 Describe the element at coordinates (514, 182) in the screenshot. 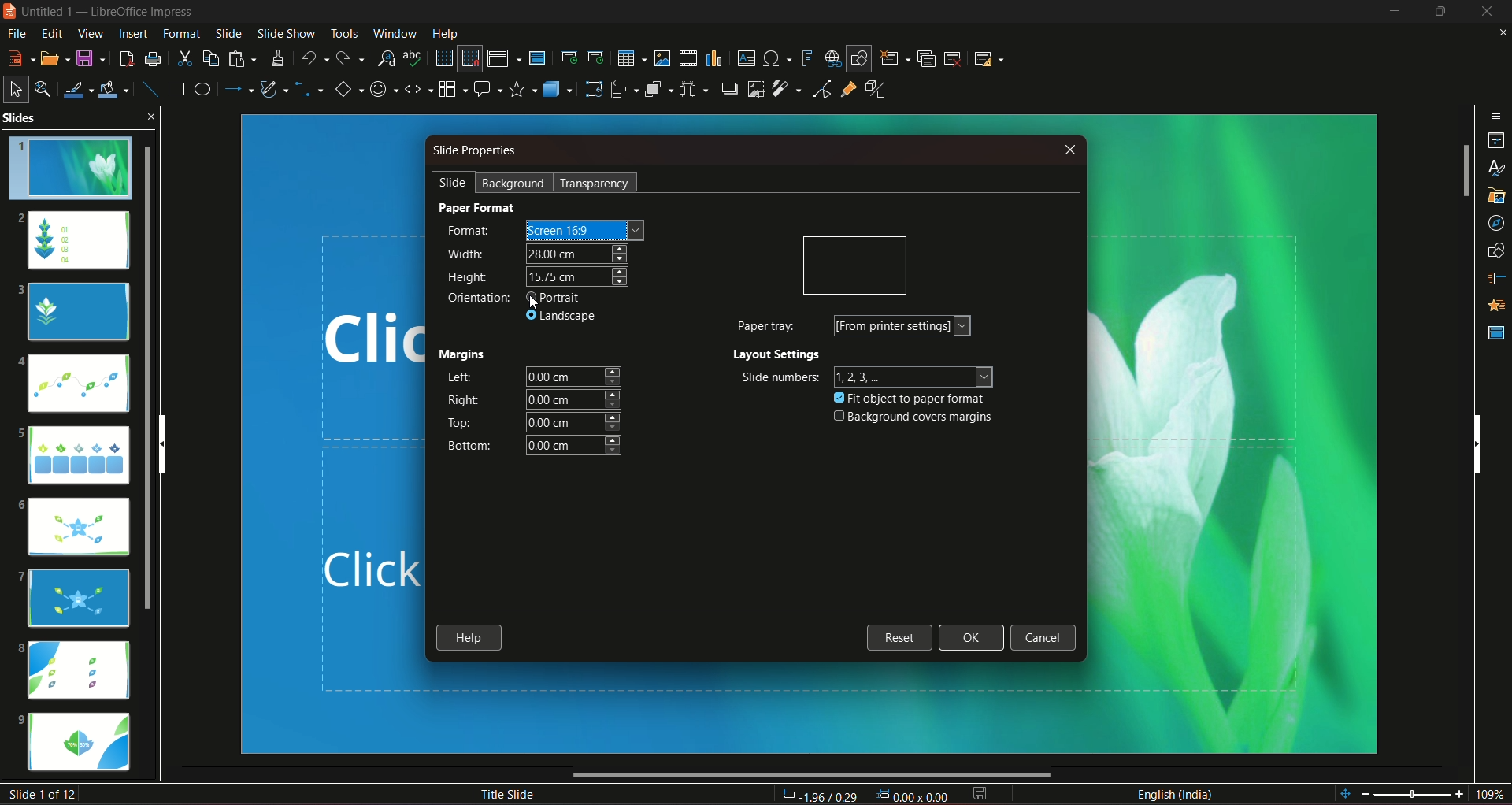

I see `background` at that location.